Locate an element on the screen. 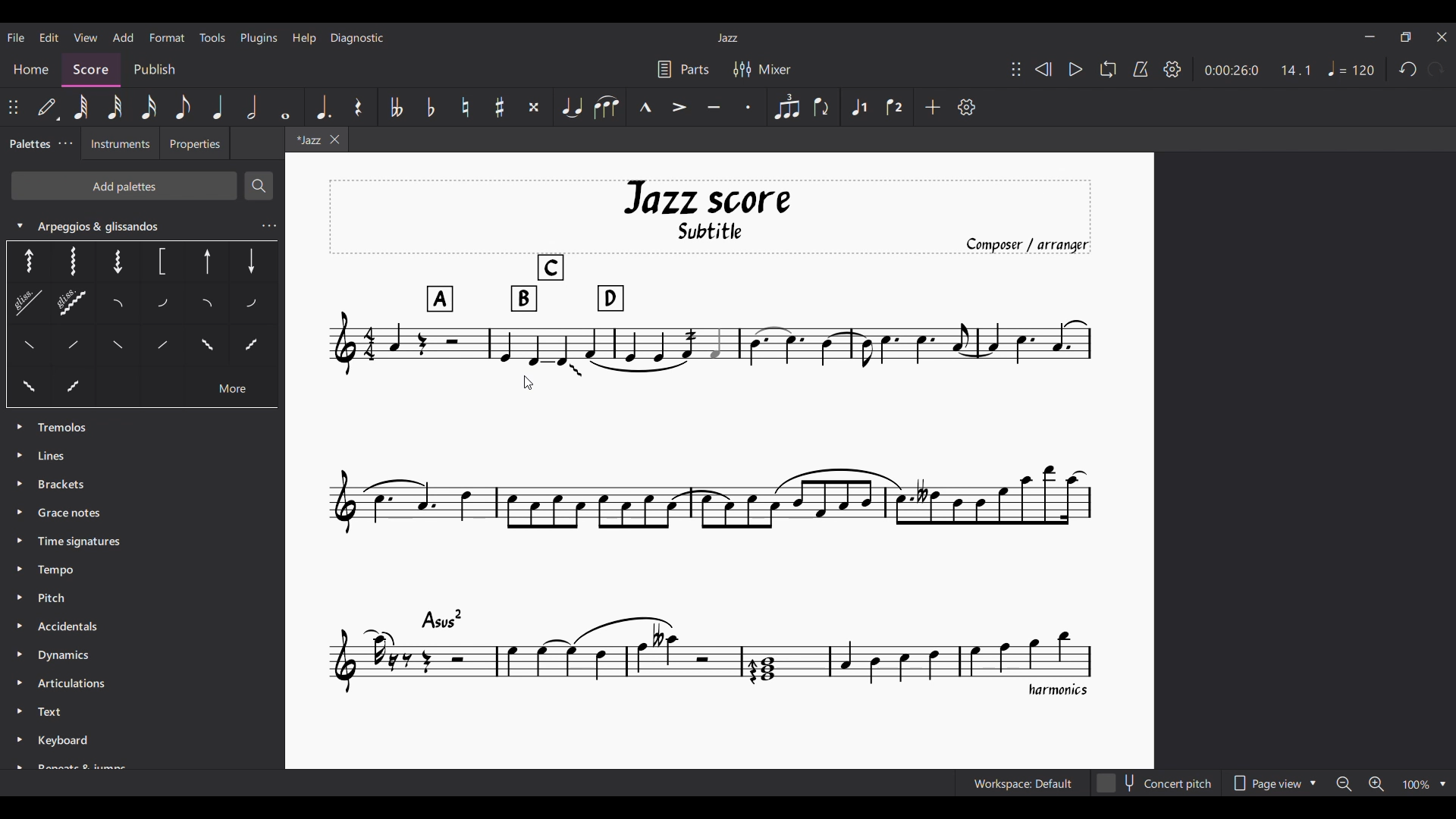 This screenshot has height=819, width=1456. View menu is located at coordinates (85, 37).